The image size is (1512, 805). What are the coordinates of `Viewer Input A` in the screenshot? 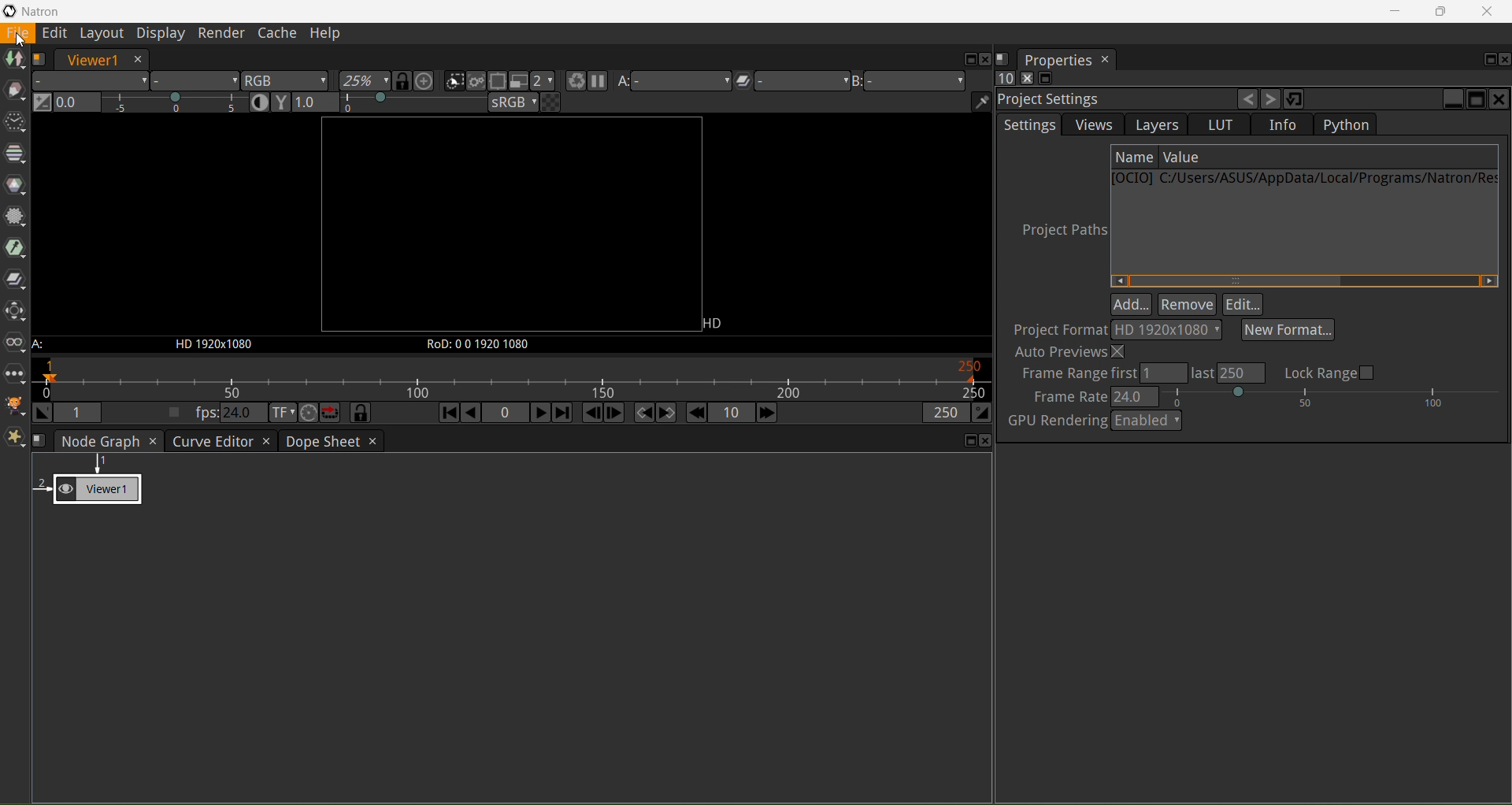 It's located at (40, 346).